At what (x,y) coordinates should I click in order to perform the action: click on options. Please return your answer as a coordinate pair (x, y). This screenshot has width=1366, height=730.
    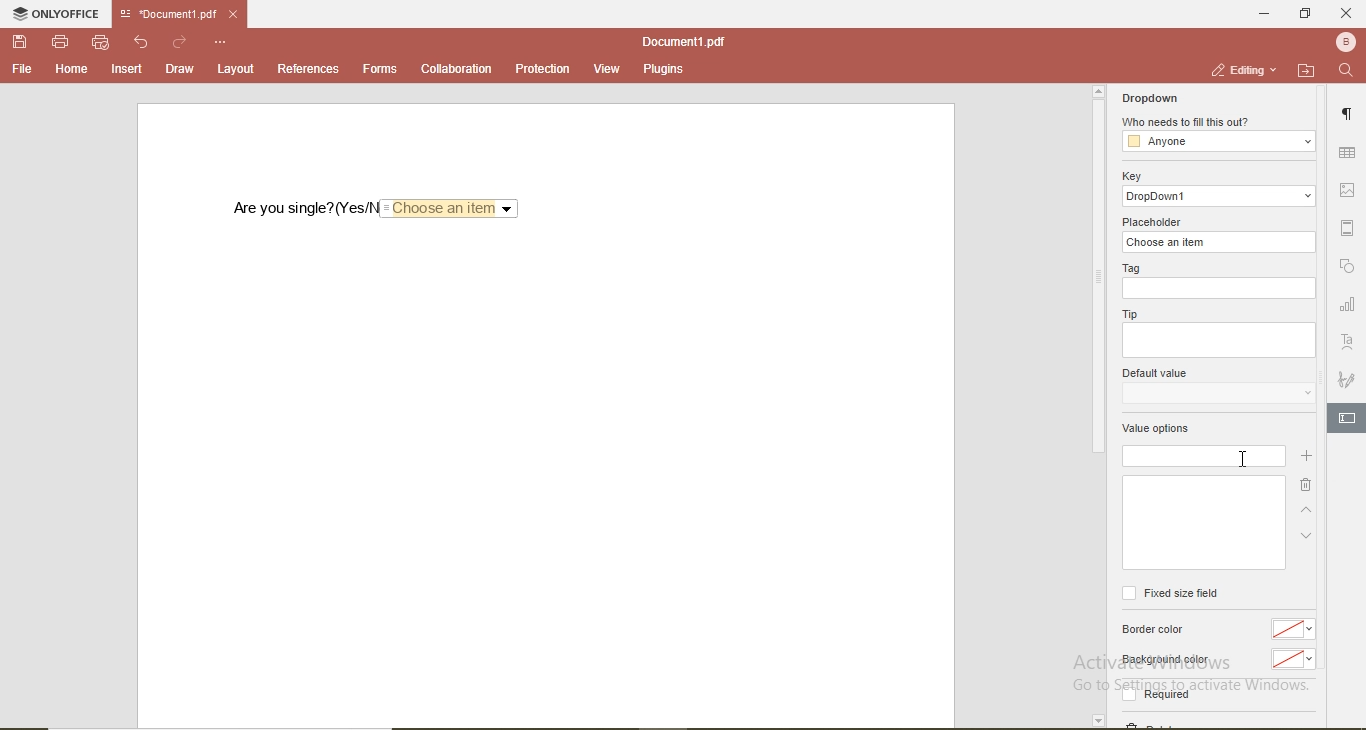
    Looking at the image, I should click on (221, 43).